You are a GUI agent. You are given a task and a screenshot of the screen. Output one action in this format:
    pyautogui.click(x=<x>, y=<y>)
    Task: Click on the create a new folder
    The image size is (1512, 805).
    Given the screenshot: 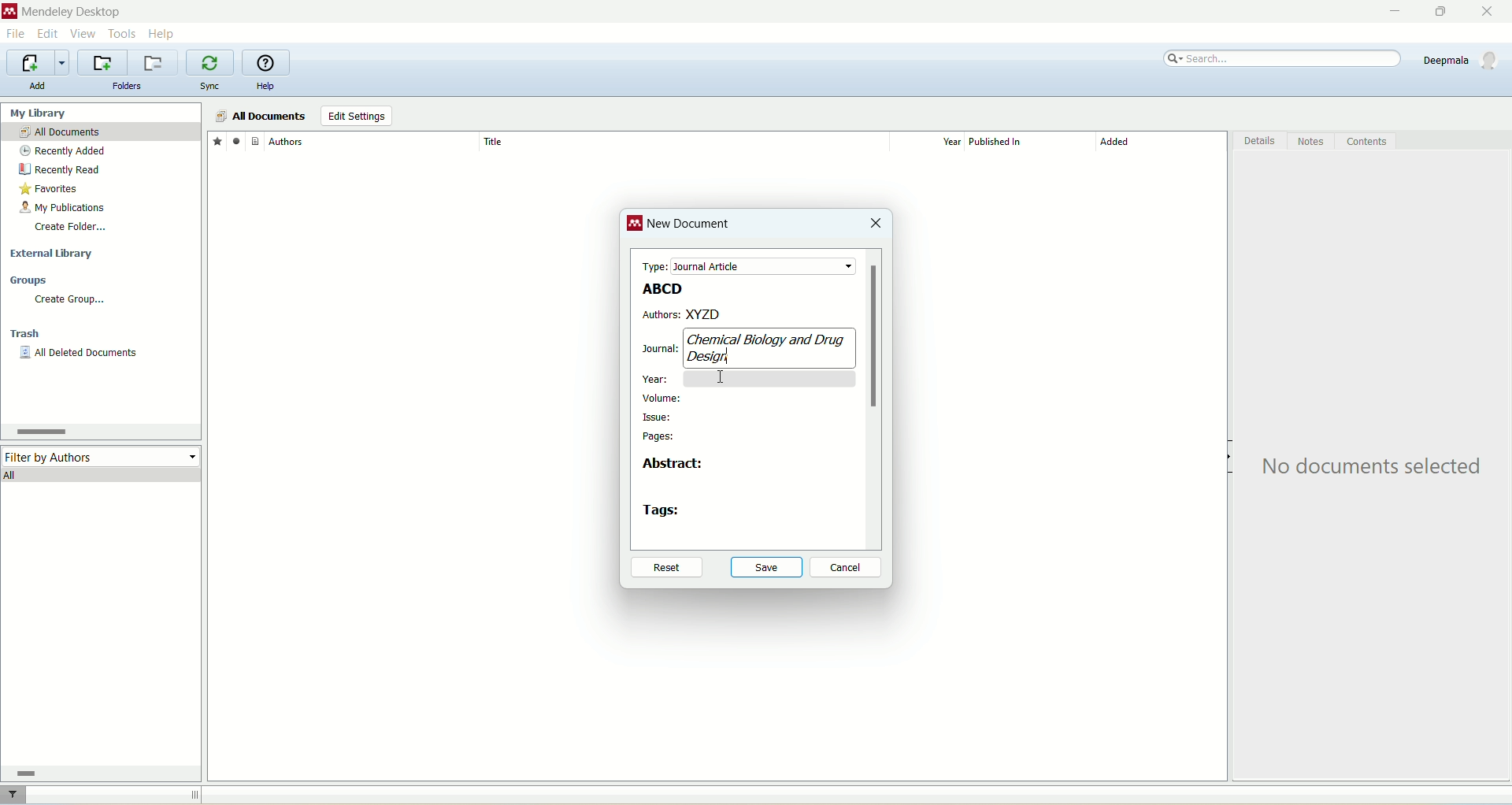 What is the action you would take?
    pyautogui.click(x=102, y=63)
    